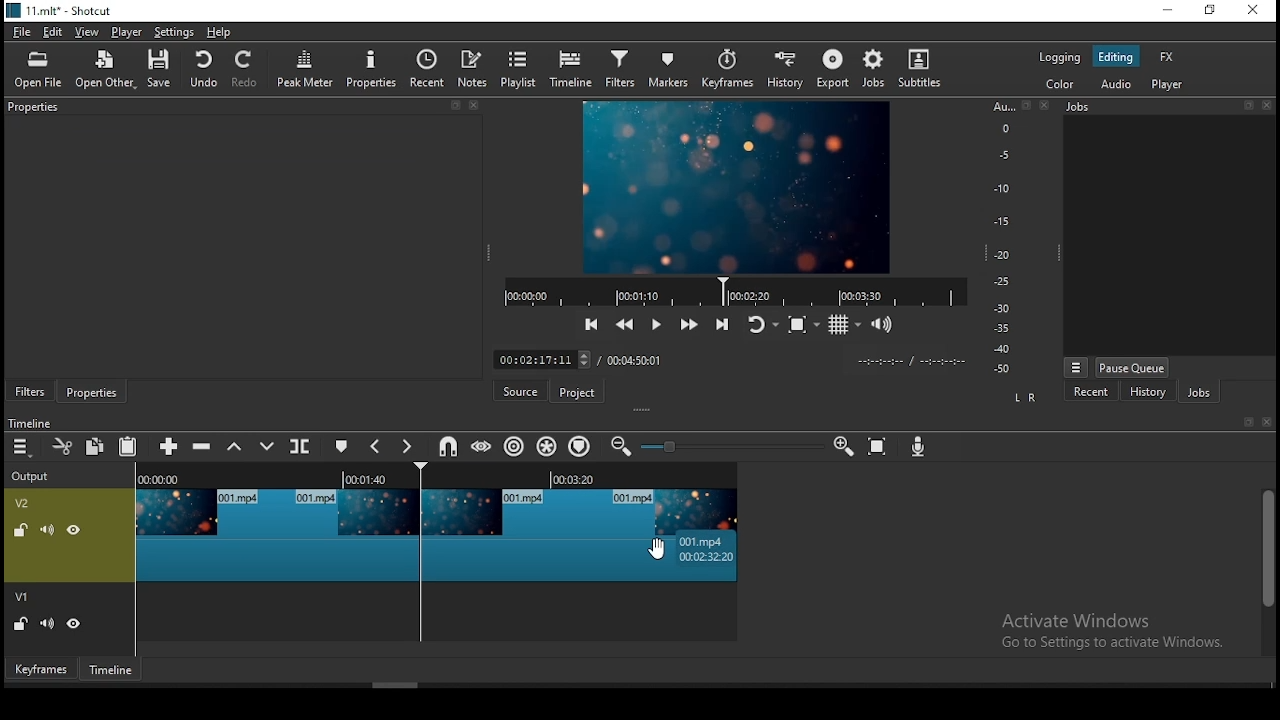 The image size is (1280, 720). I want to click on show volume control, so click(883, 327).